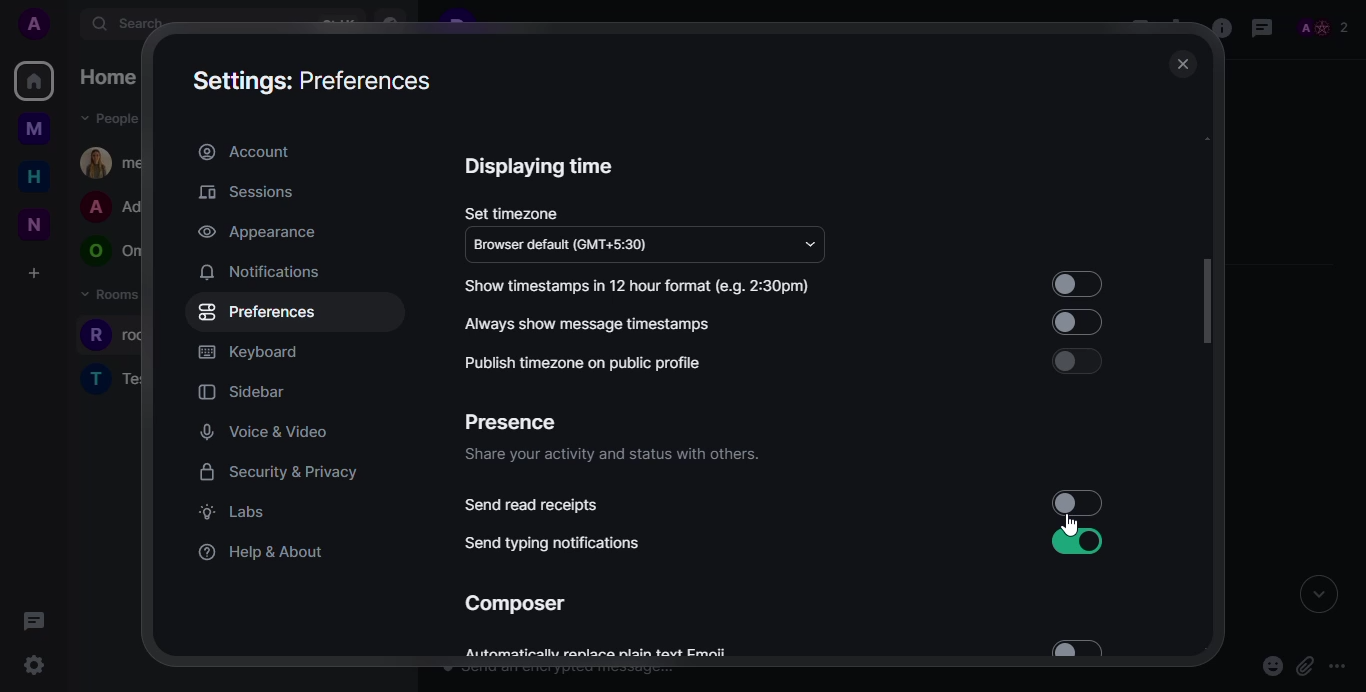  Describe the element at coordinates (533, 506) in the screenshot. I see `send read receipts` at that location.